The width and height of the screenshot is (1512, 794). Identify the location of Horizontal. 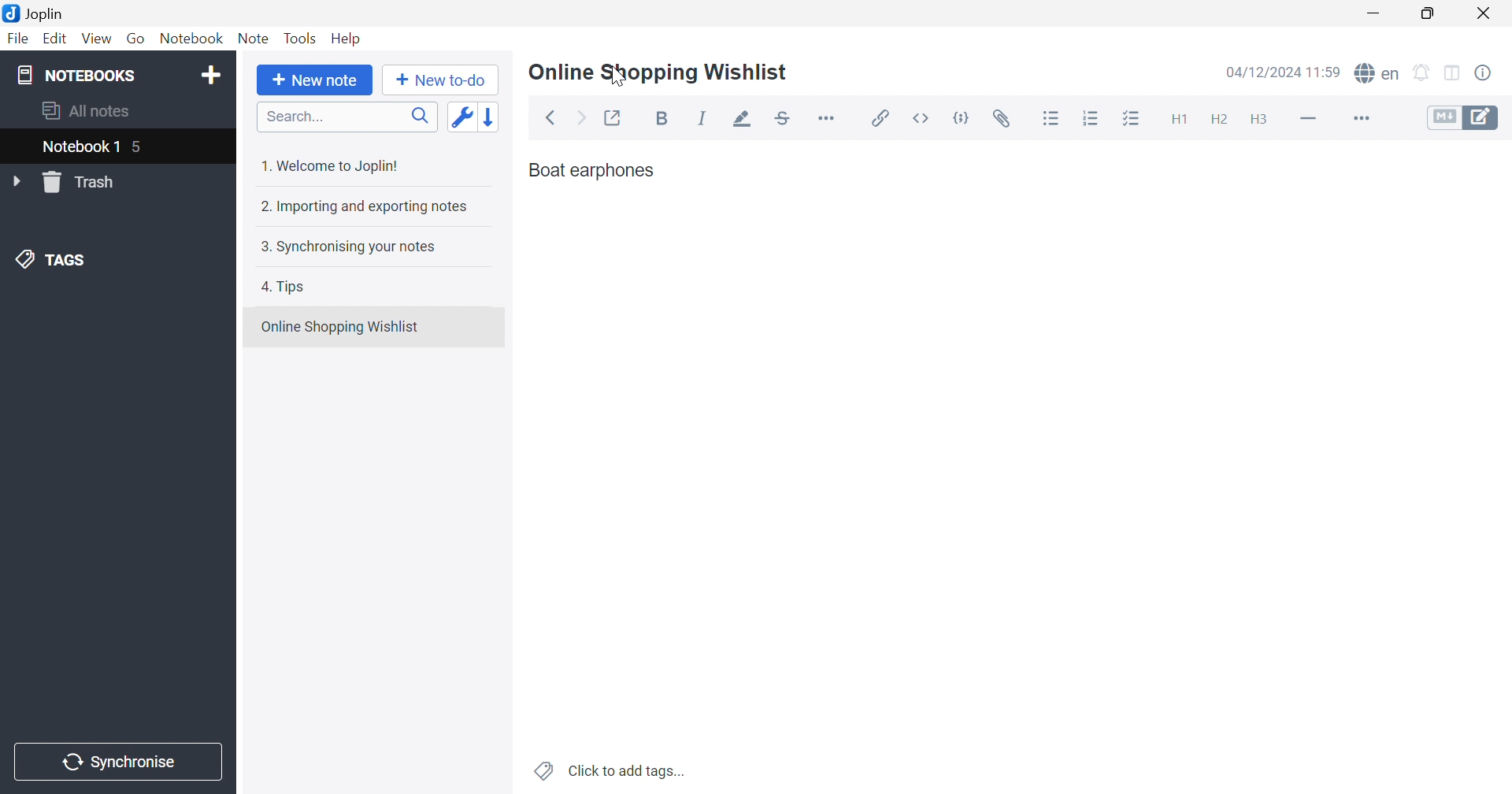
(829, 121).